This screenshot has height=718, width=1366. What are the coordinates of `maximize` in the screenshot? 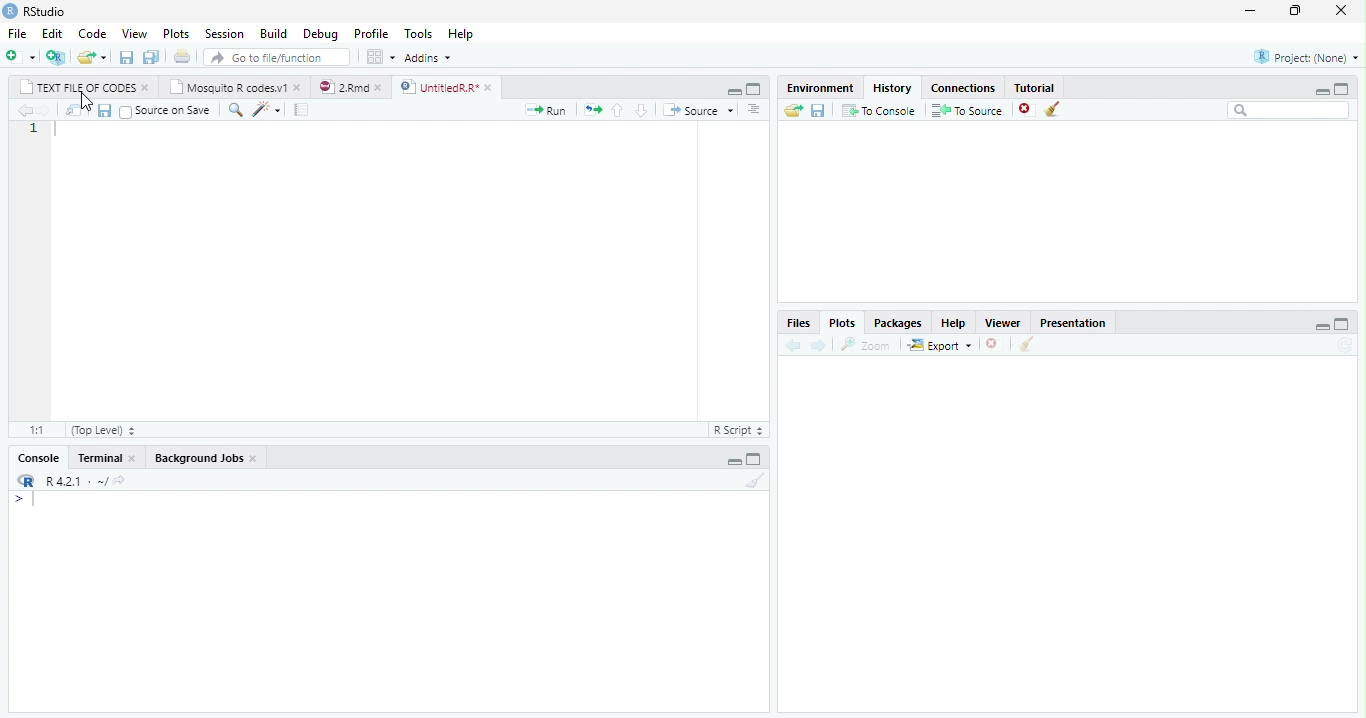 It's located at (1346, 89).